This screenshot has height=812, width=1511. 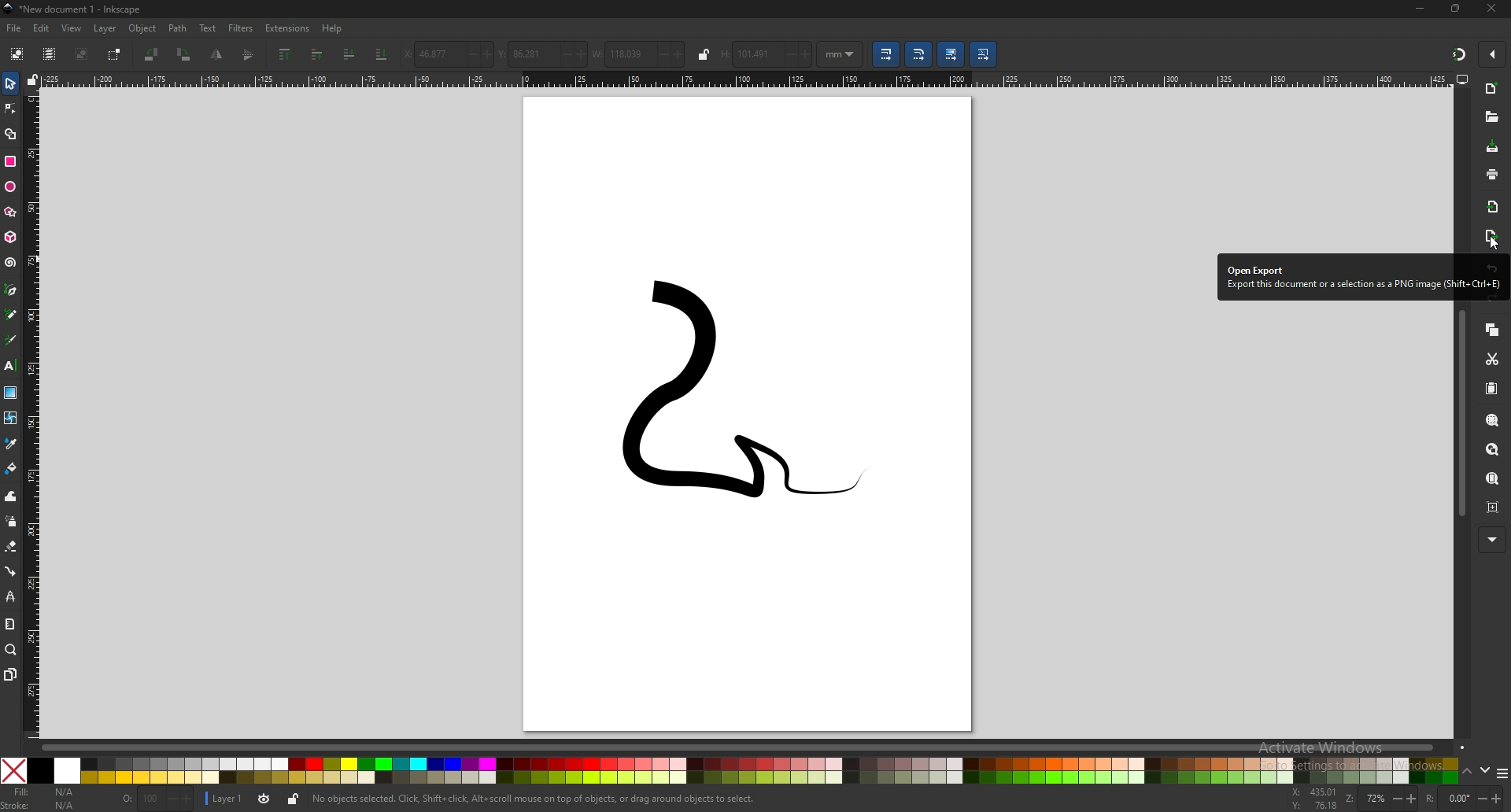 I want to click on vertical scale, so click(x=34, y=412).